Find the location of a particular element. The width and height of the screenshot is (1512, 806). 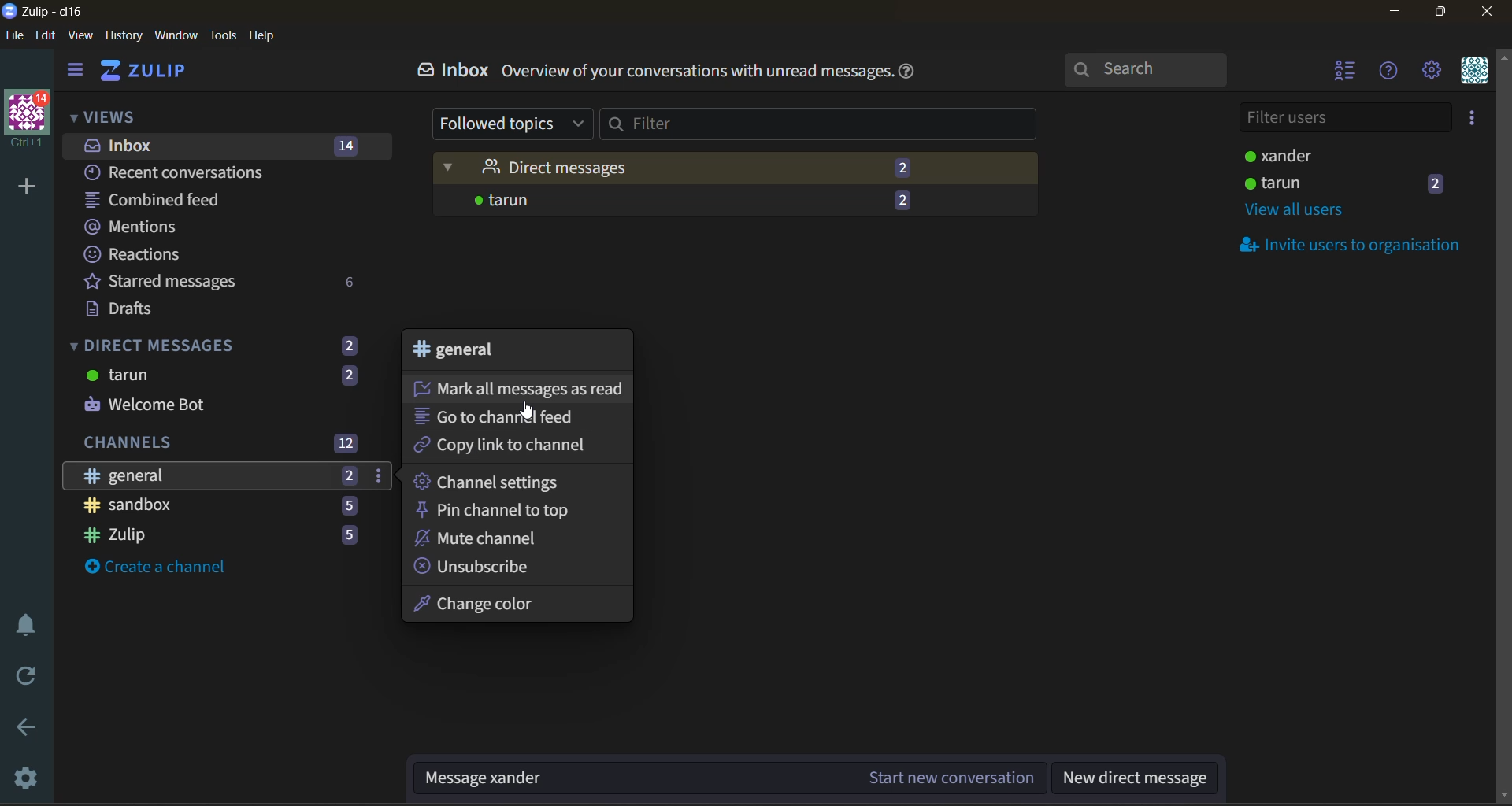

invite users to organisation is located at coordinates (1358, 248).